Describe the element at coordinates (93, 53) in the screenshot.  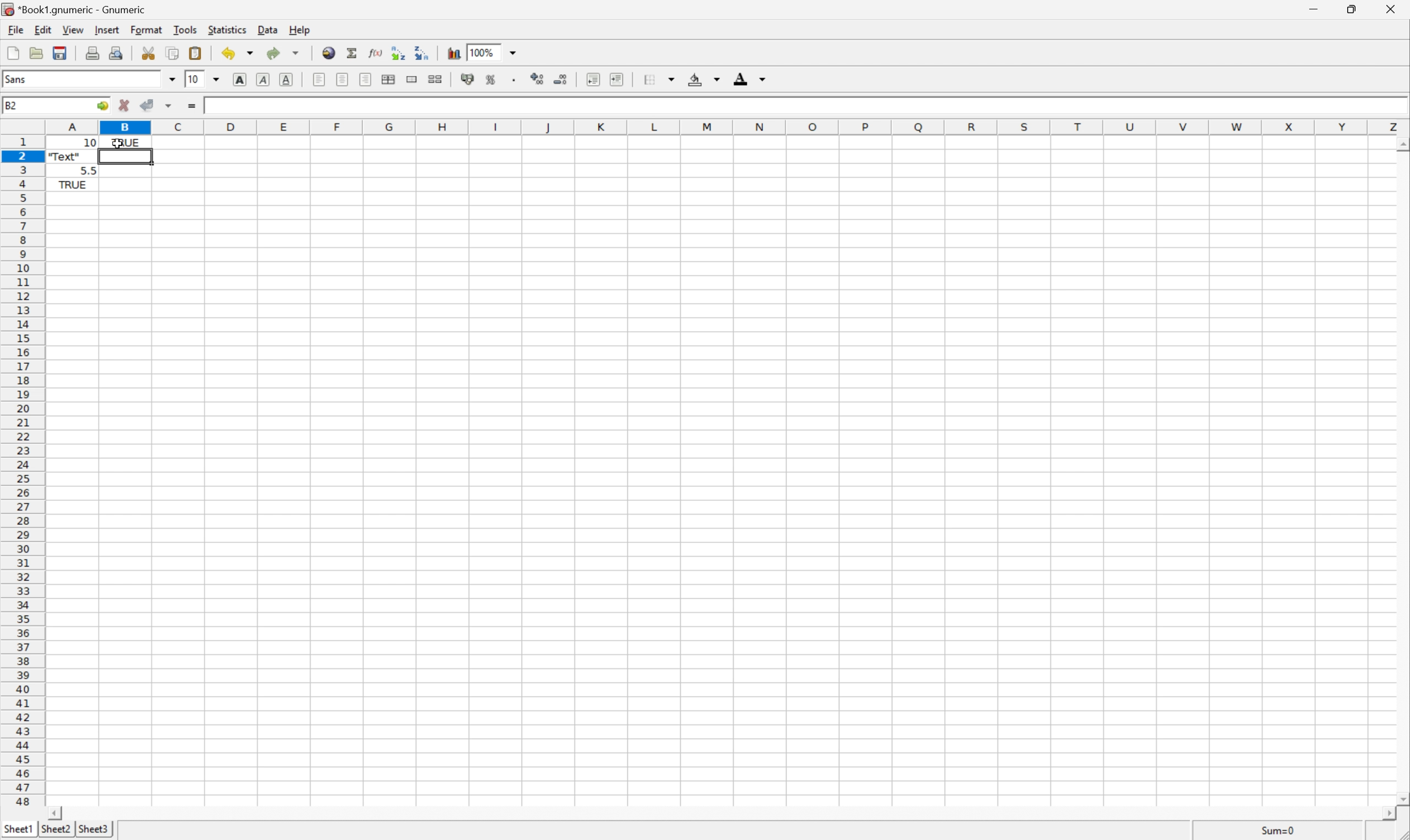
I see `Print current file` at that location.